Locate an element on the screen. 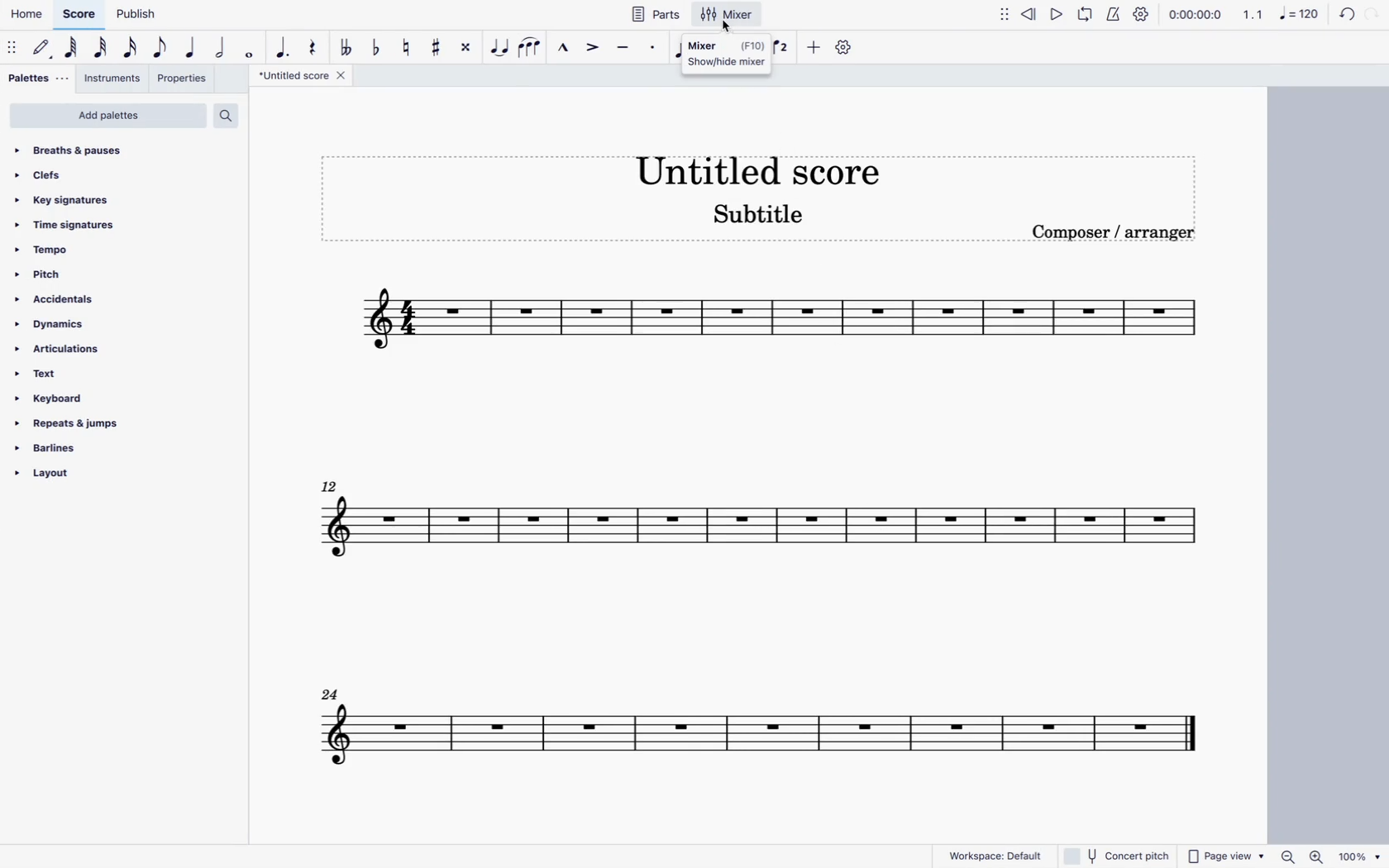 This screenshot has width=1389, height=868. instruments is located at coordinates (113, 80).